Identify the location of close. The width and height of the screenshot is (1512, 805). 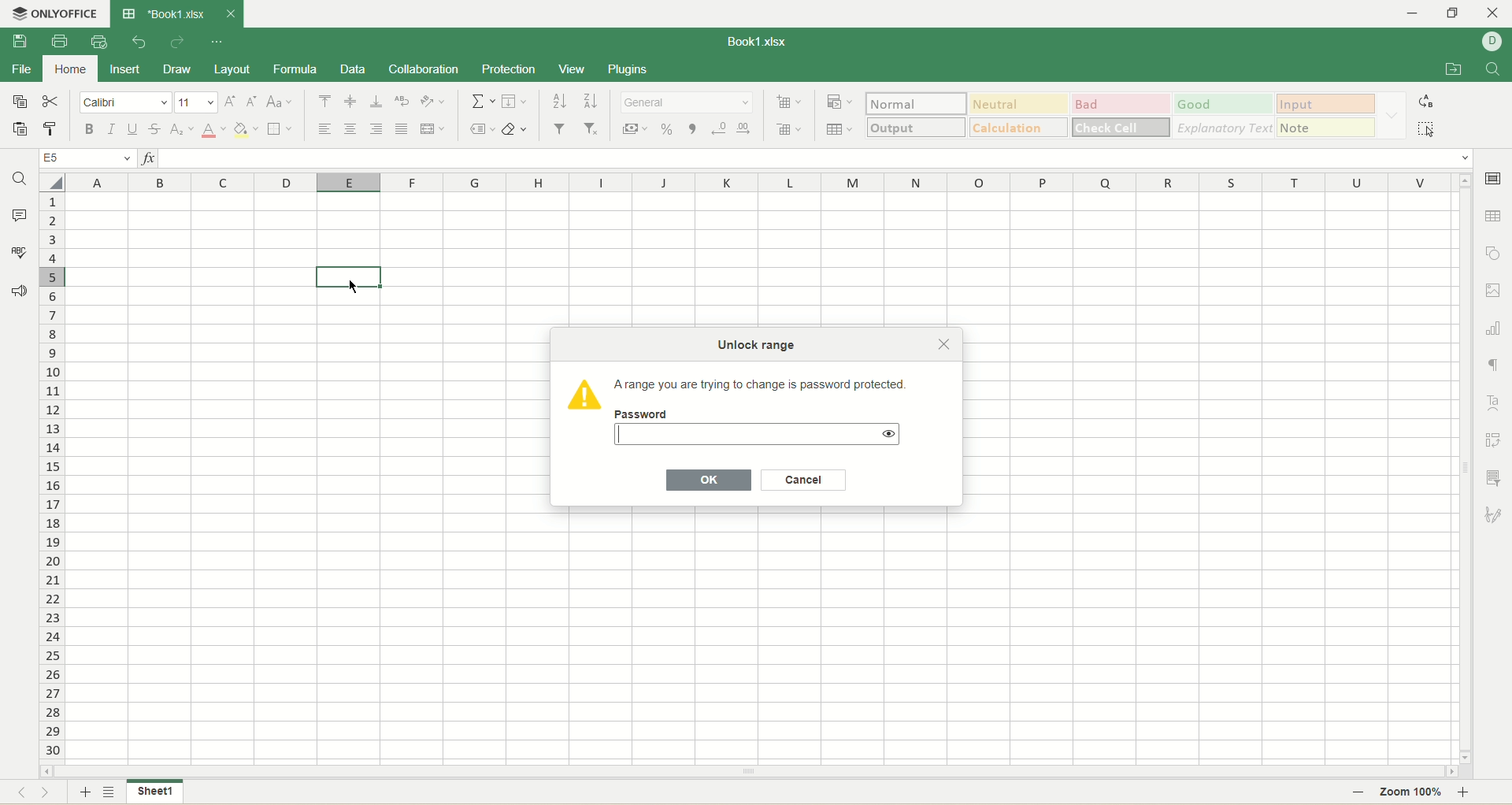
(1494, 13).